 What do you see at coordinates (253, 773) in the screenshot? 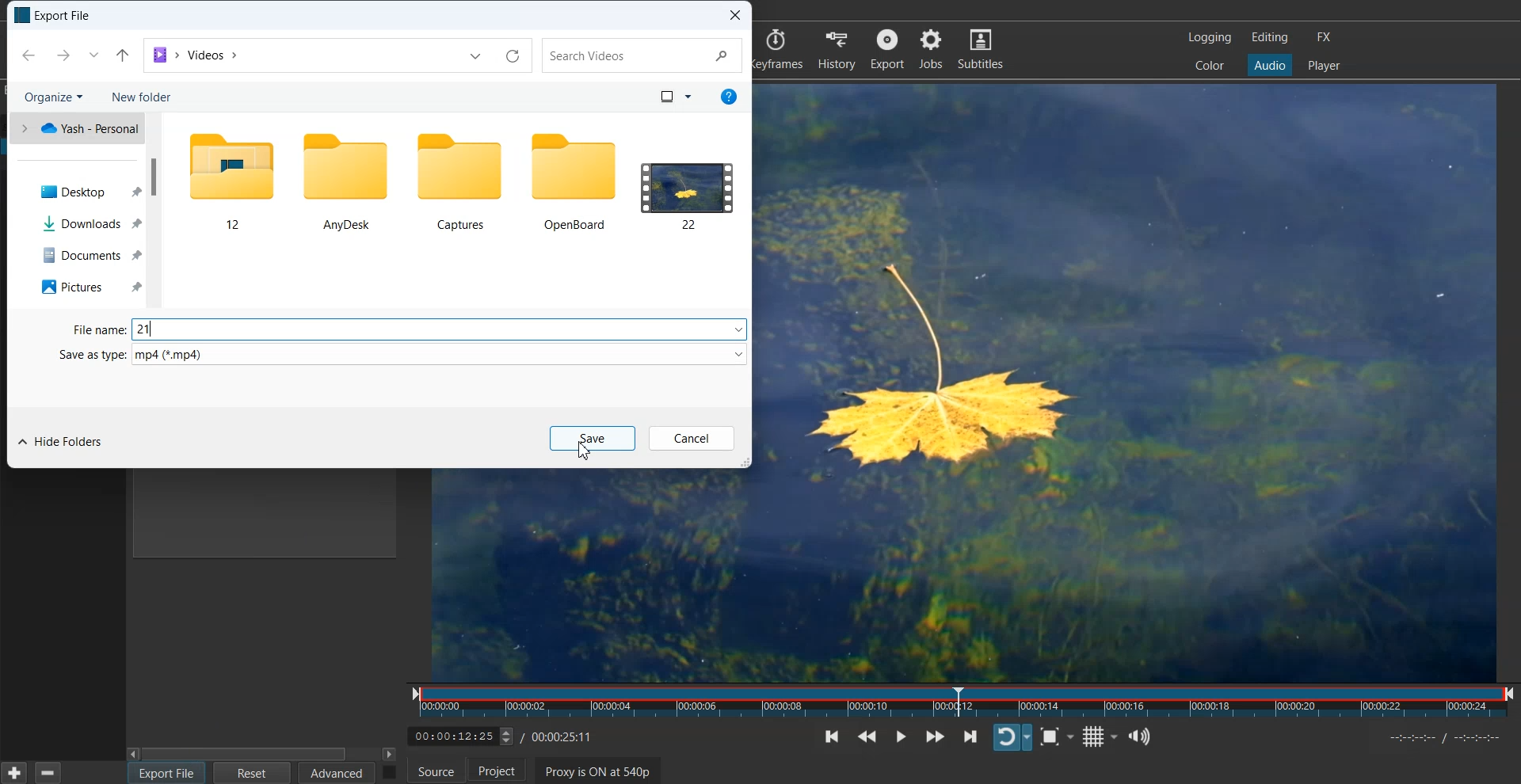
I see `Reset` at bounding box center [253, 773].